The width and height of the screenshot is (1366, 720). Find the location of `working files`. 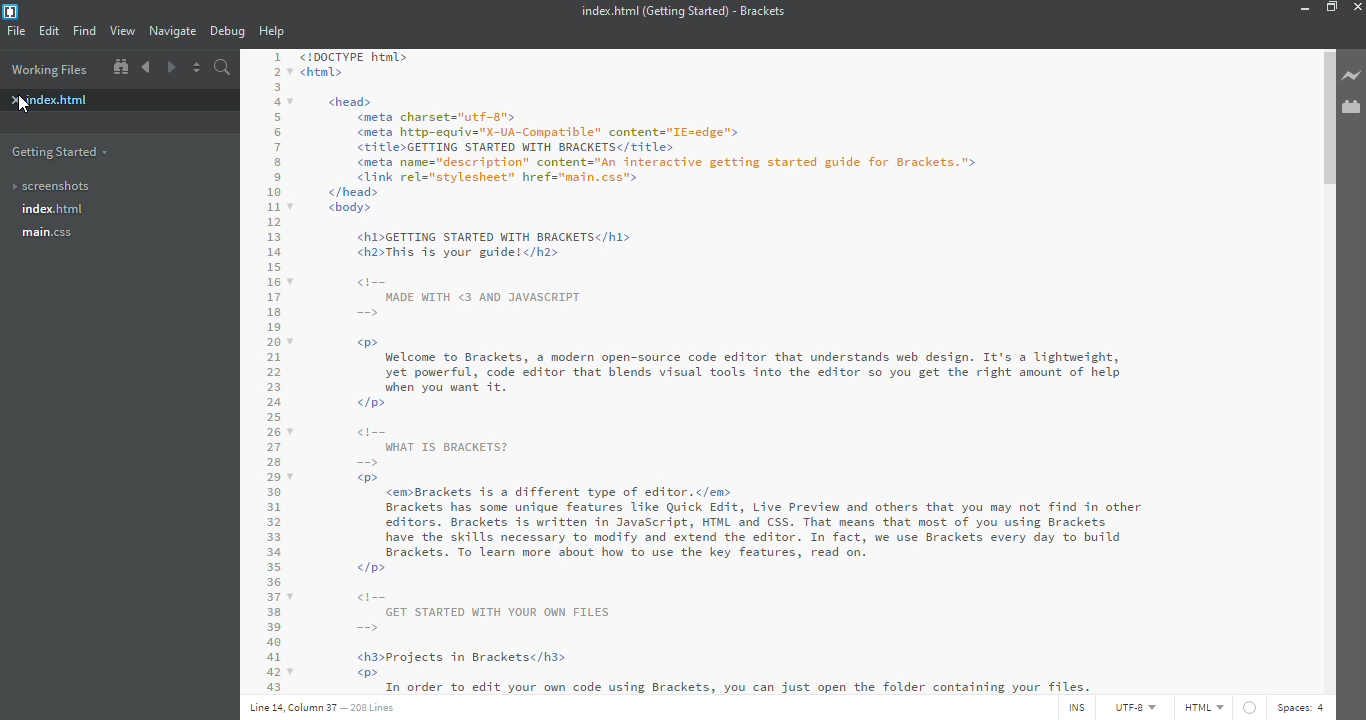

working files is located at coordinates (50, 69).